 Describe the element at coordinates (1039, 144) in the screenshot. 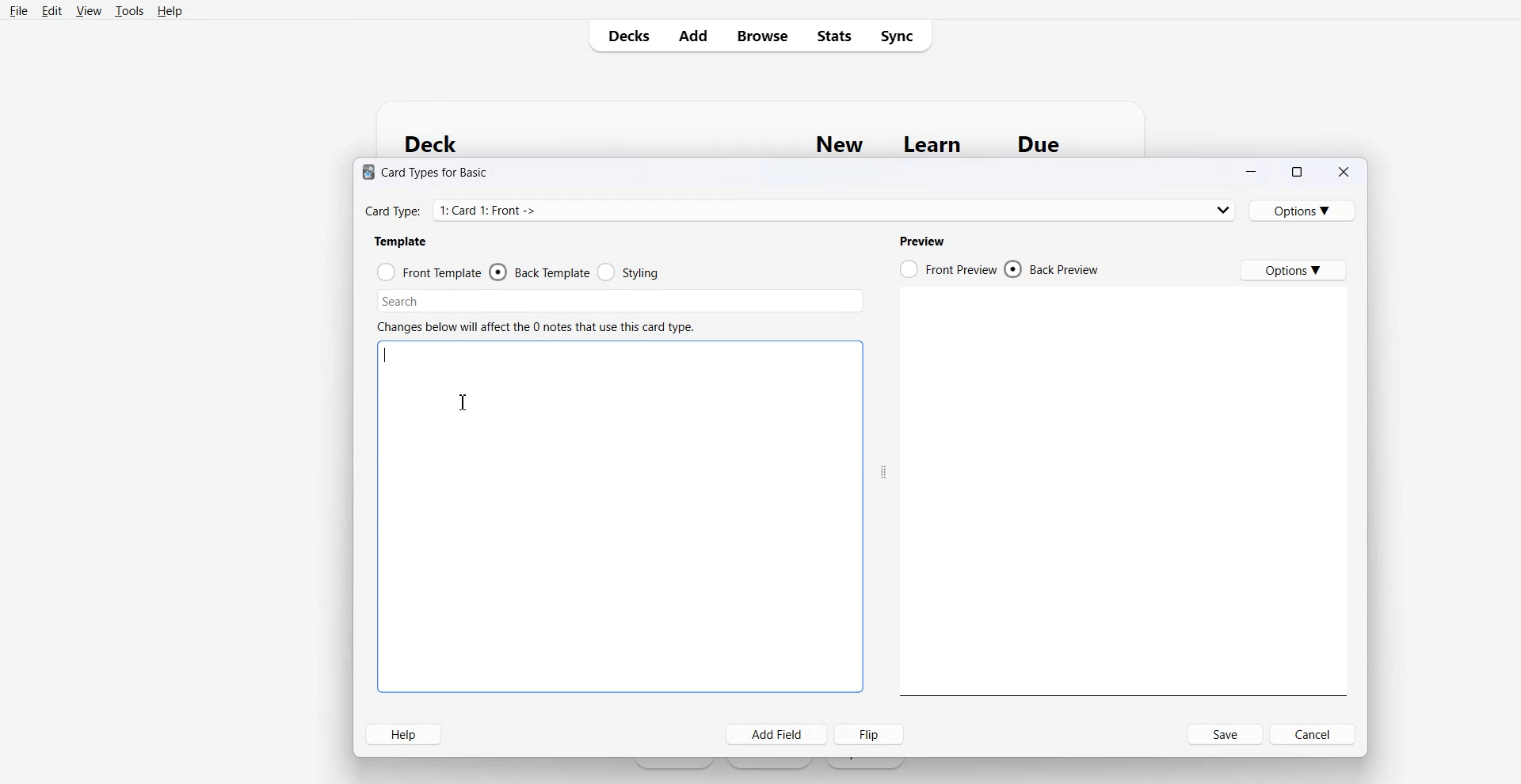

I see `Due` at that location.